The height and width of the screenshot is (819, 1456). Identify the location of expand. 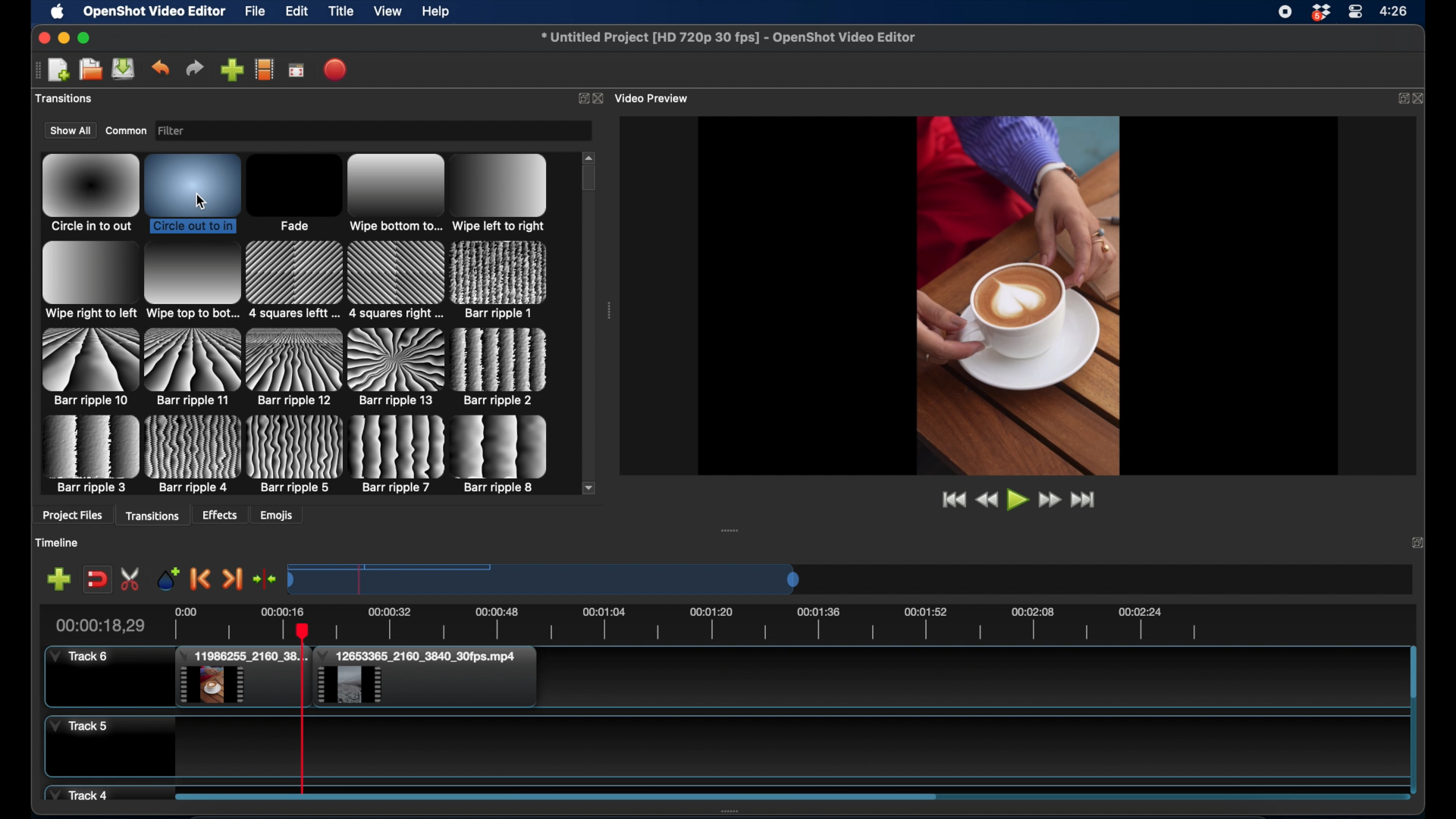
(581, 98).